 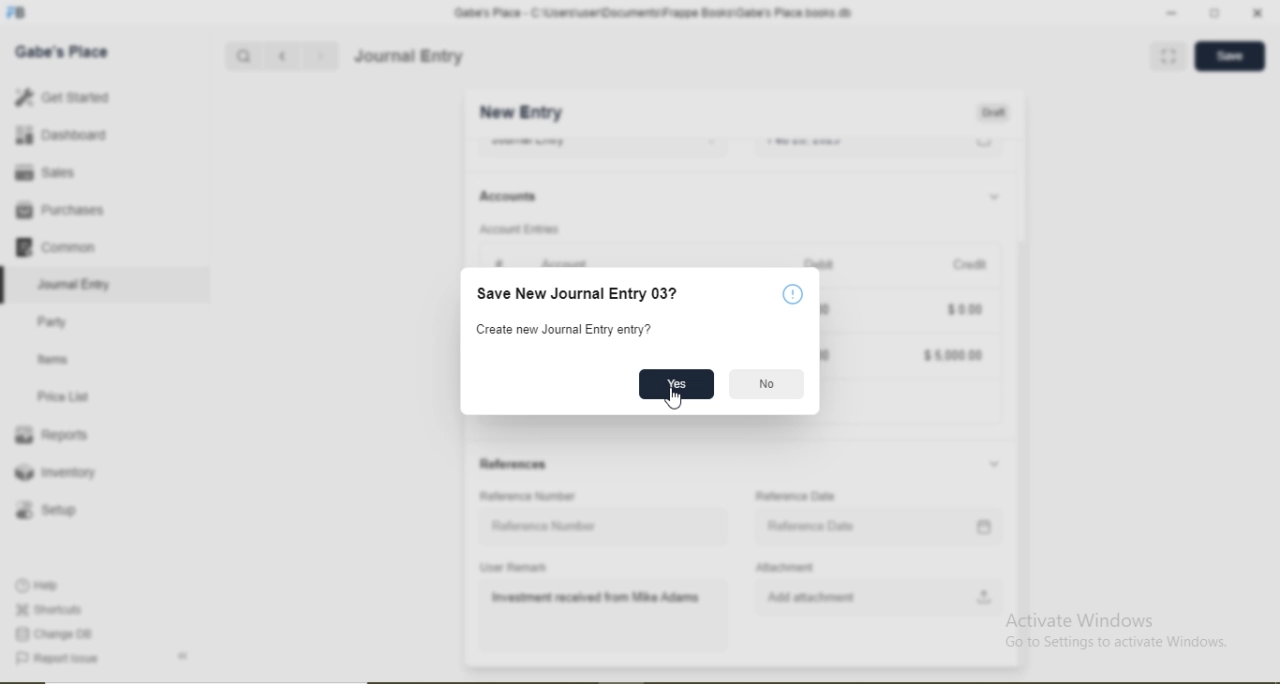 What do you see at coordinates (985, 527) in the screenshot?
I see `Calendar` at bounding box center [985, 527].